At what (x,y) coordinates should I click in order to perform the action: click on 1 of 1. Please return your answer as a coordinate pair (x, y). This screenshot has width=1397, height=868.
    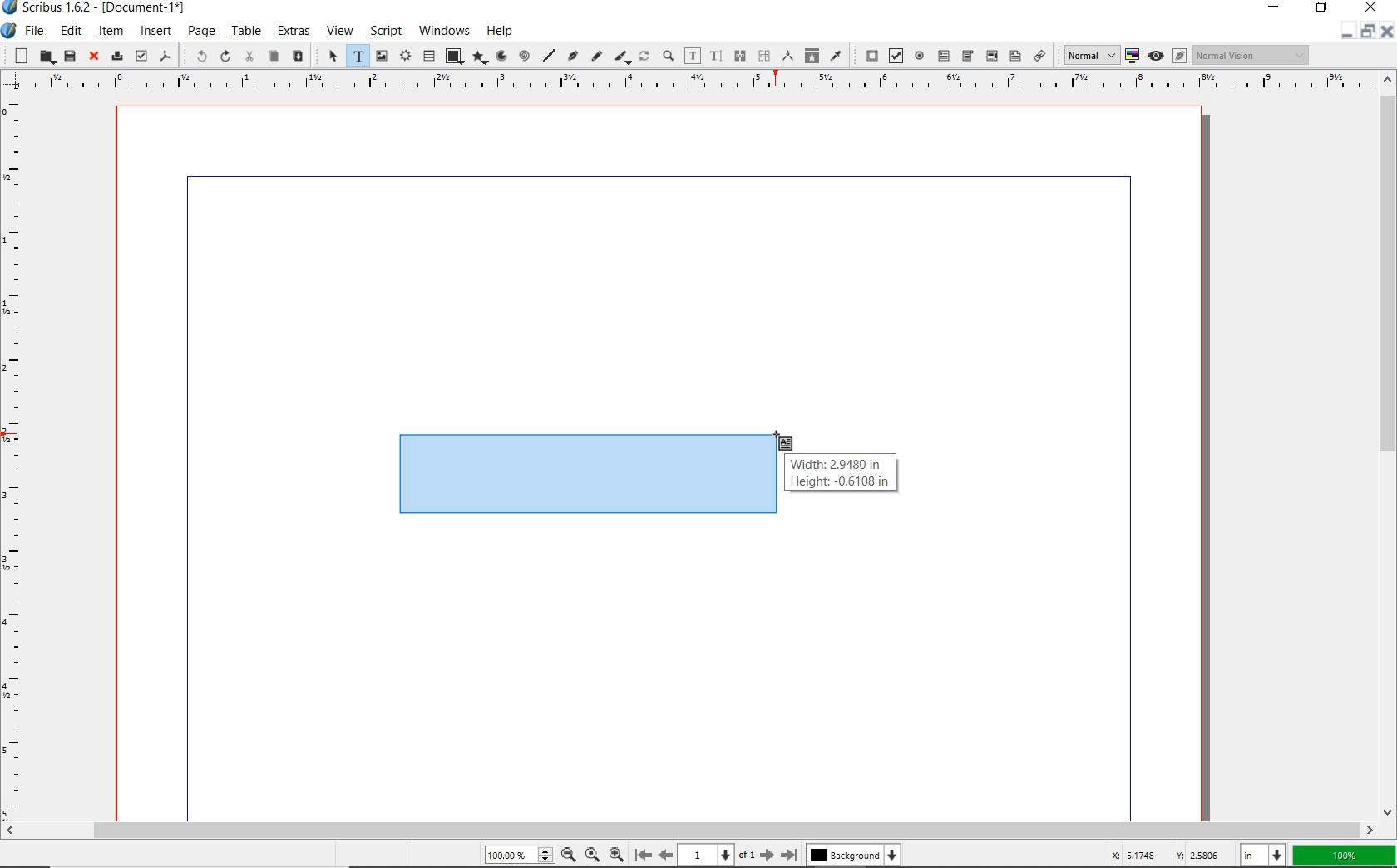
    Looking at the image, I should click on (716, 855).